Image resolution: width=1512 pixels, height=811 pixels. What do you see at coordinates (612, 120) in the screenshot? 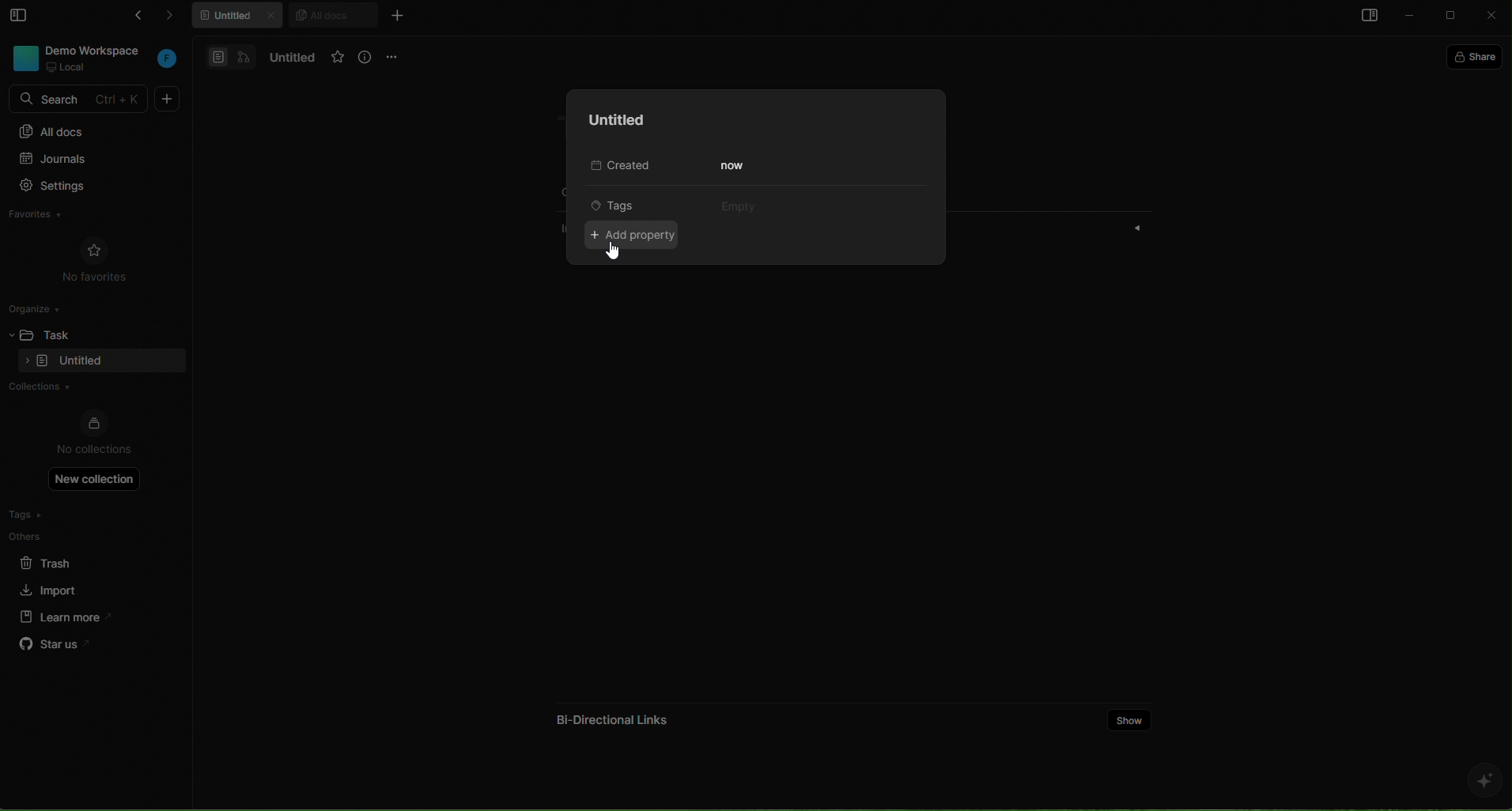
I see `untitled` at bounding box center [612, 120].